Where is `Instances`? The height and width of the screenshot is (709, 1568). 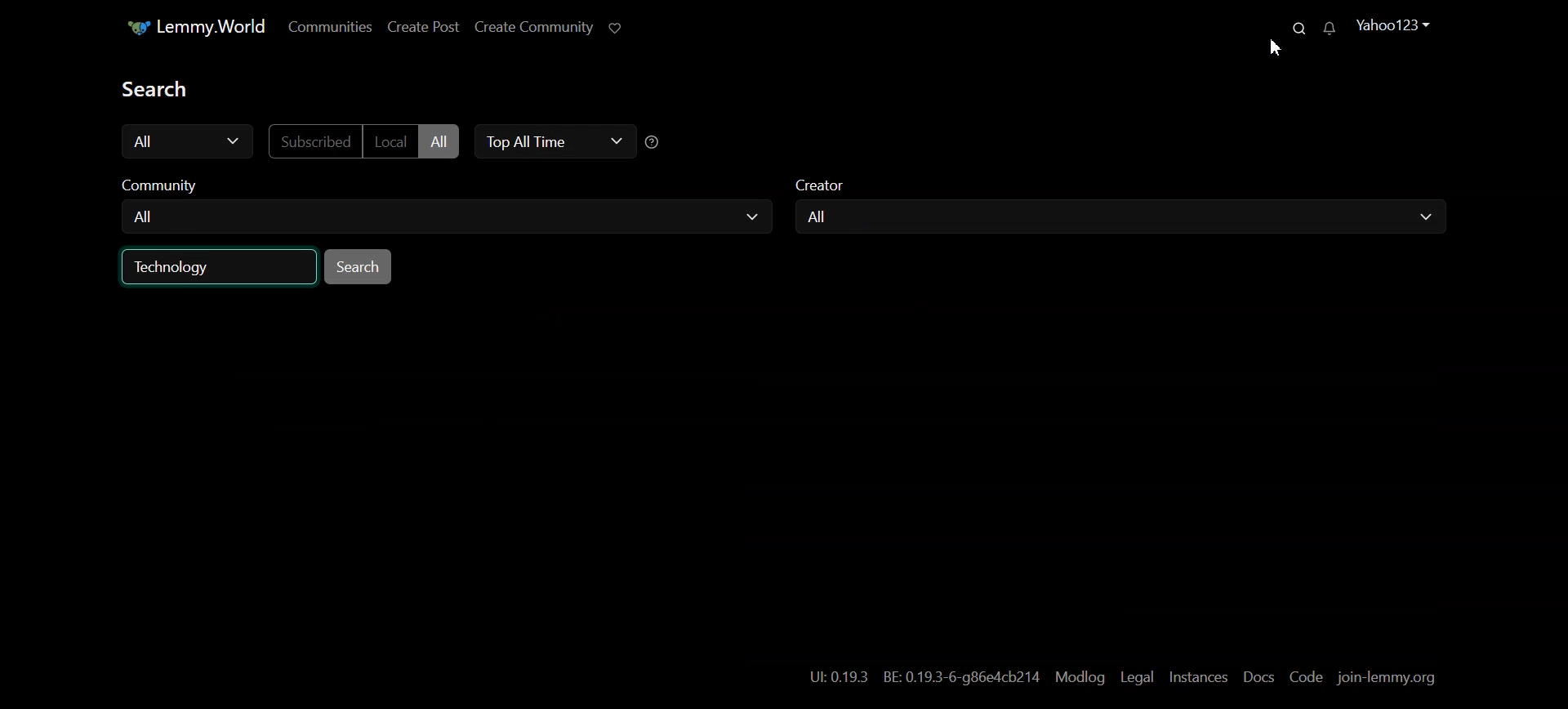 Instances is located at coordinates (1198, 676).